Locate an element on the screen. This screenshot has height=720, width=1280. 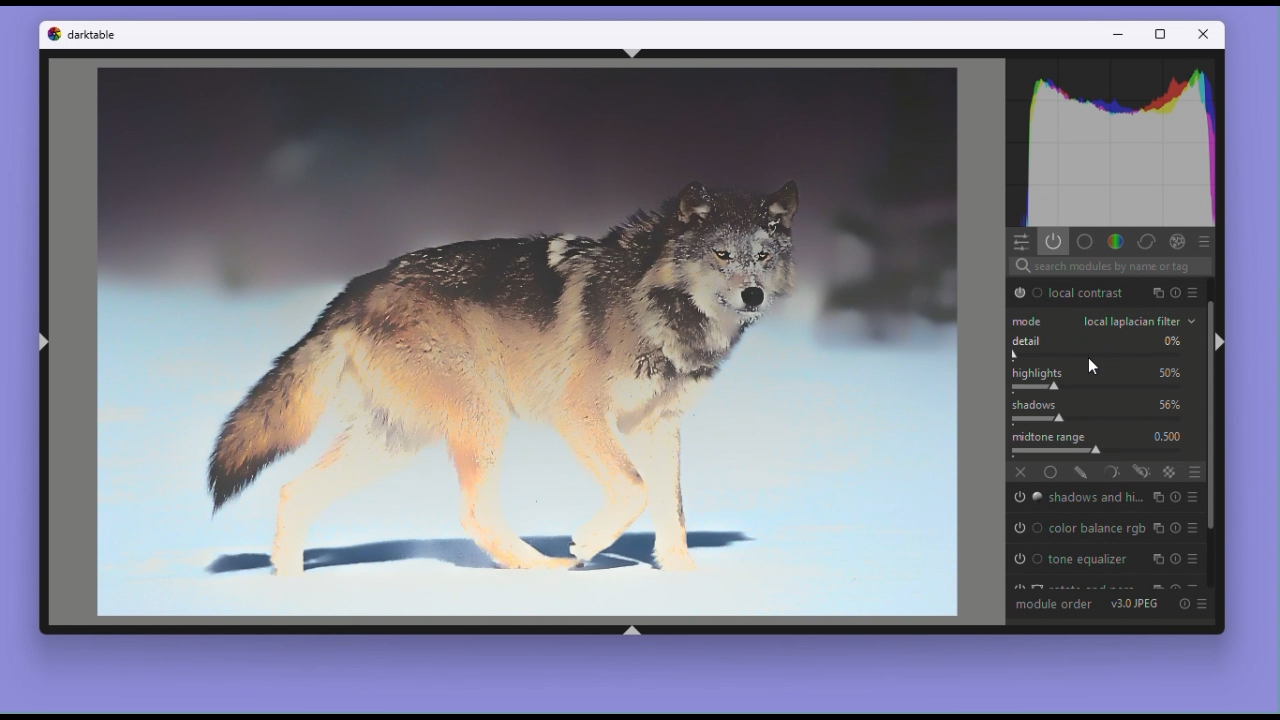
Highlights is located at coordinates (1108, 380).